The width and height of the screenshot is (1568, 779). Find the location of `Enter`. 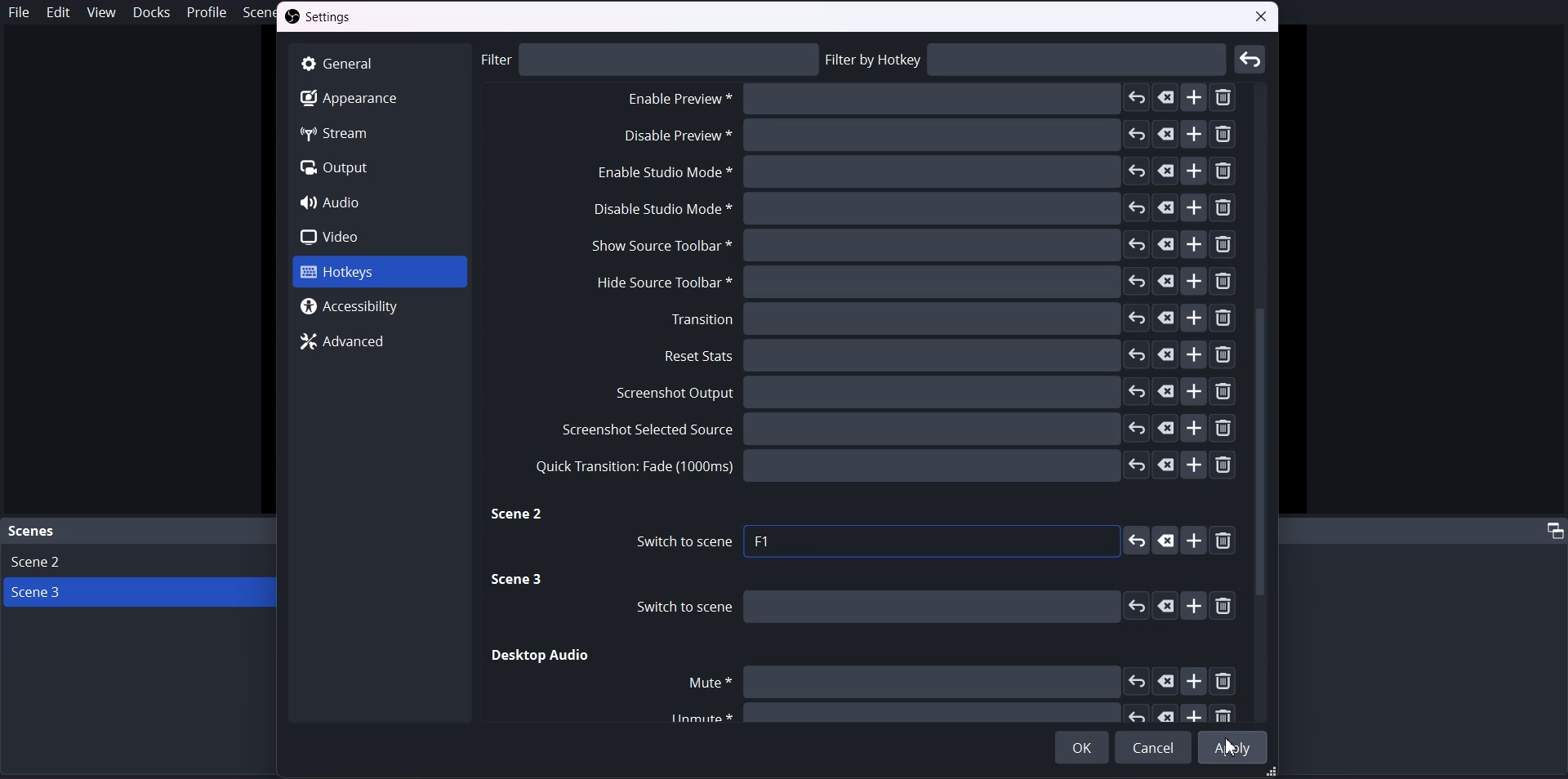

Enter is located at coordinates (1251, 59).